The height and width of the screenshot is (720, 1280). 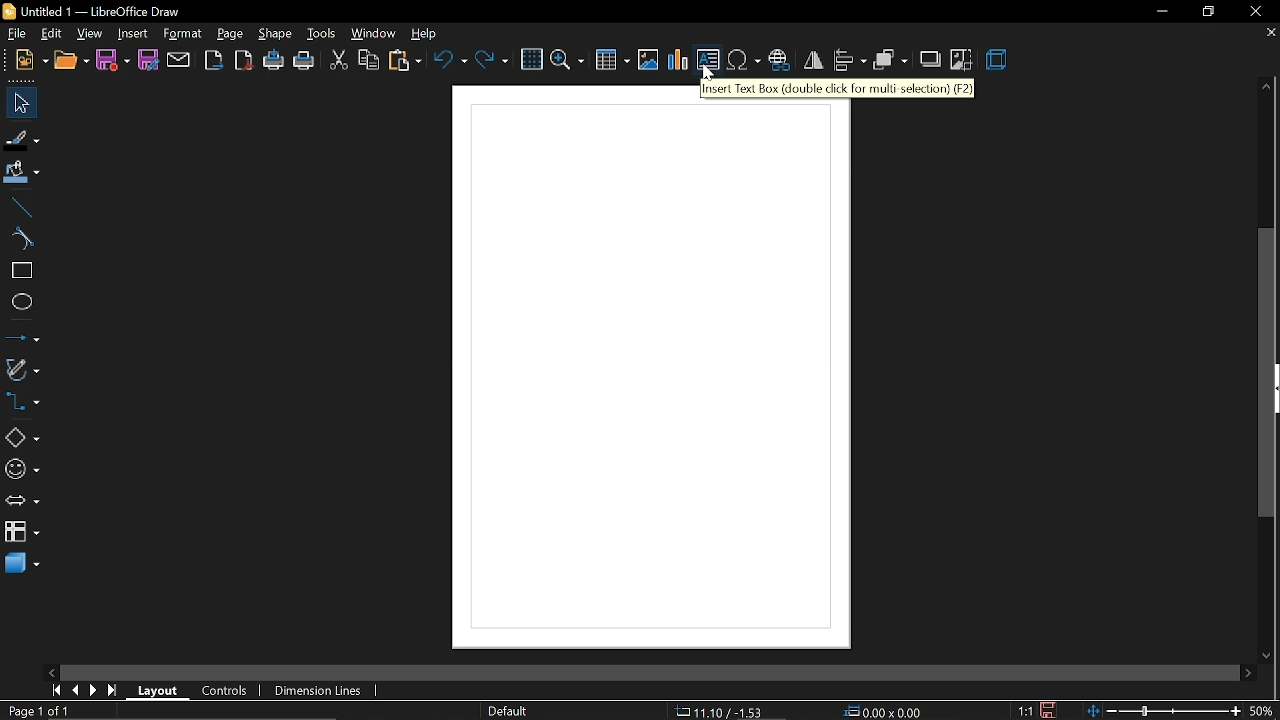 I want to click on insert table, so click(x=613, y=62).